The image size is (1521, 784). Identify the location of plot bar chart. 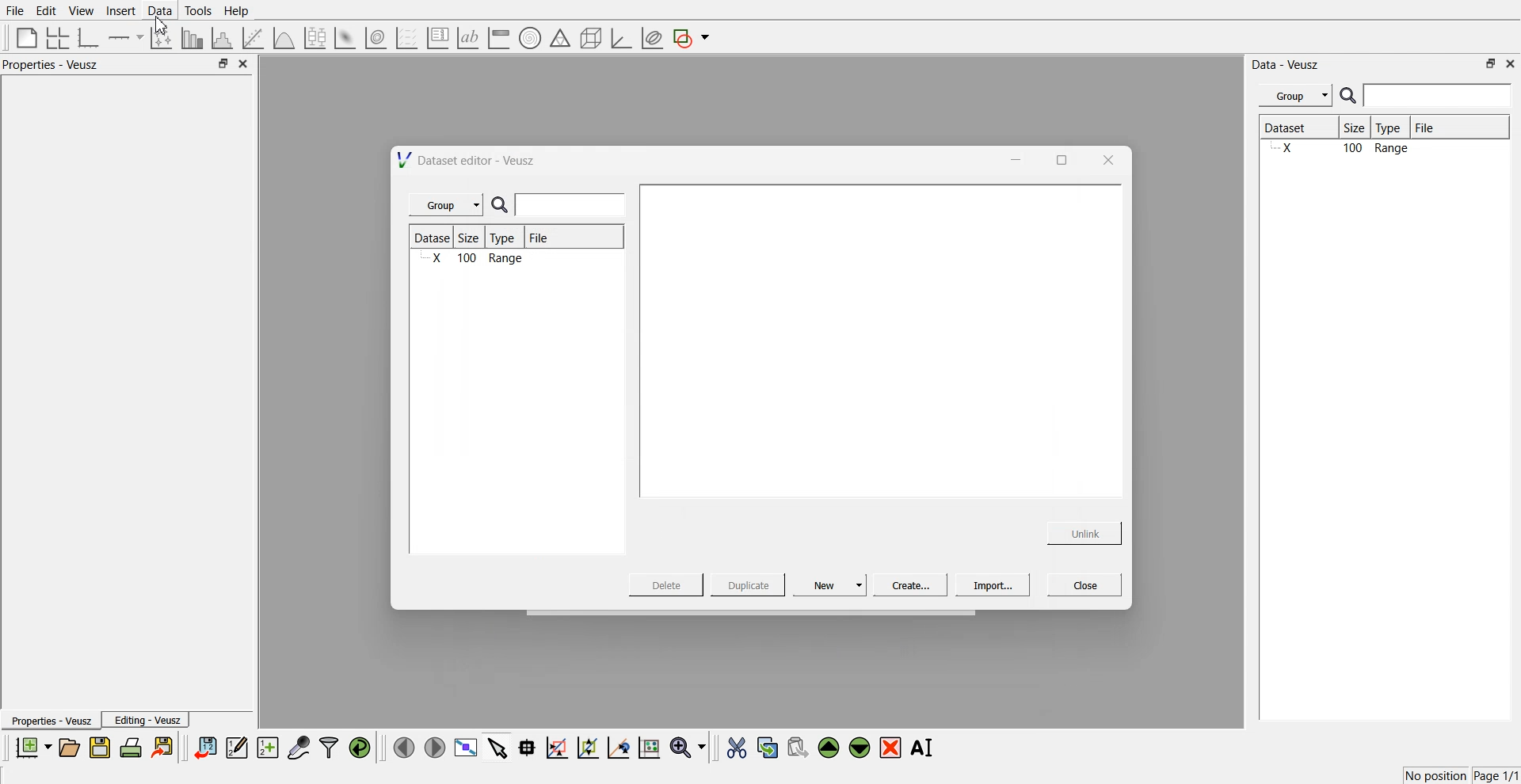
(192, 39).